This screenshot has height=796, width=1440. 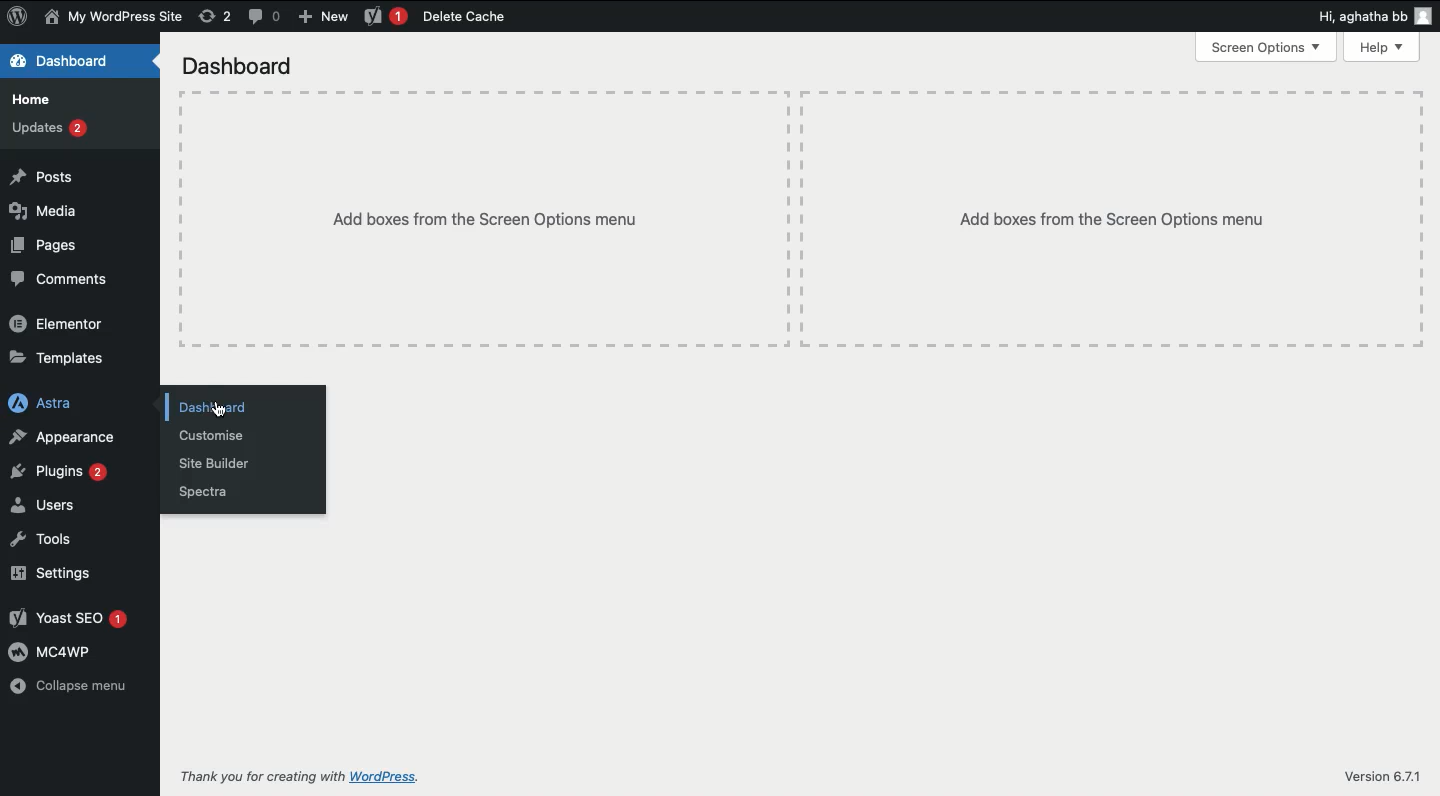 What do you see at coordinates (215, 17) in the screenshot?
I see `Revision` at bounding box center [215, 17].